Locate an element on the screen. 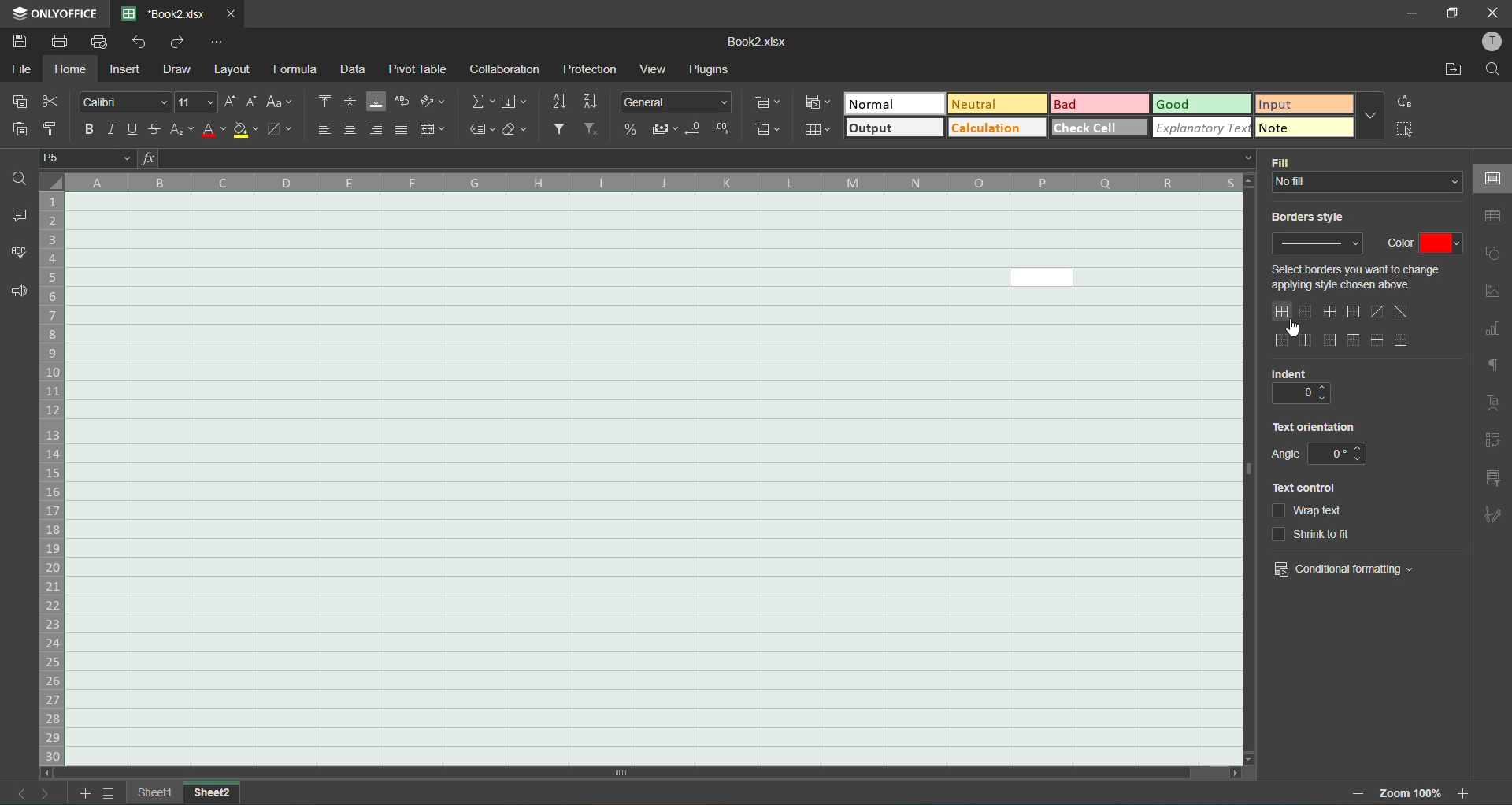  normal is located at coordinates (893, 102).